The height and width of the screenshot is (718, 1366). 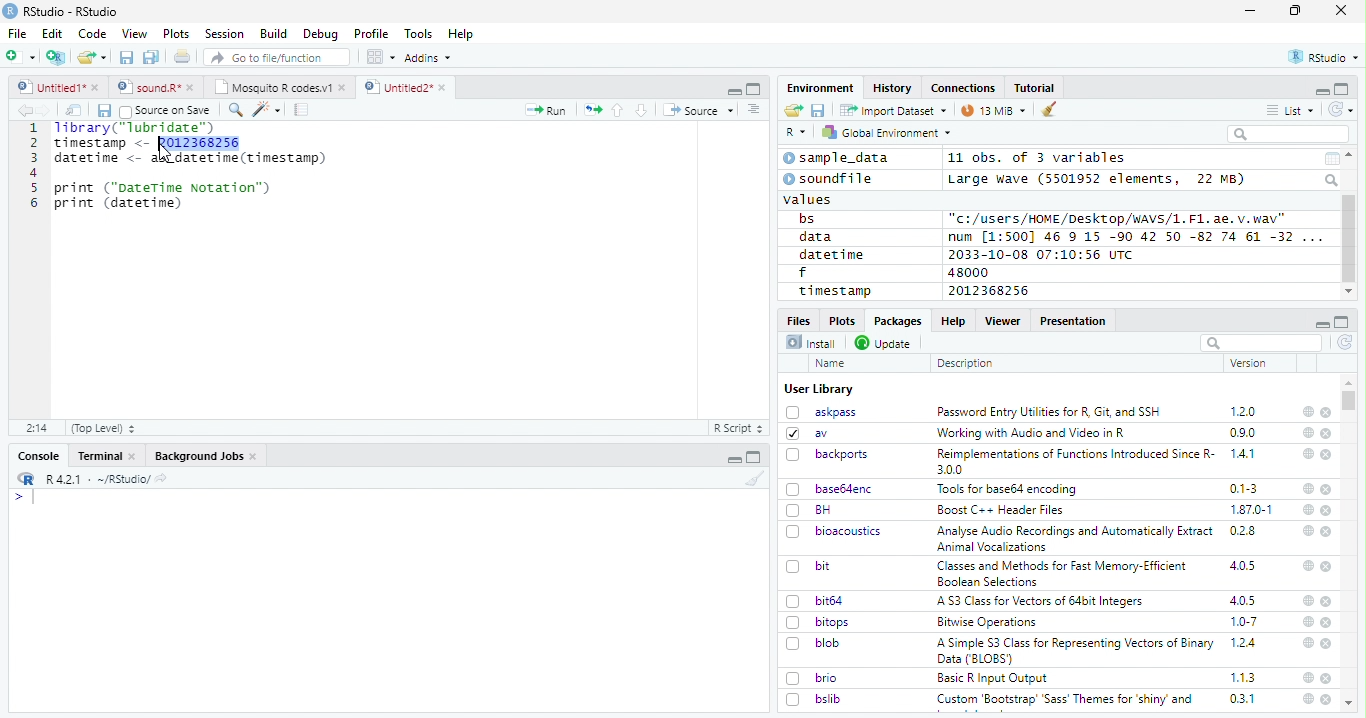 I want to click on Version, so click(x=1252, y=363).